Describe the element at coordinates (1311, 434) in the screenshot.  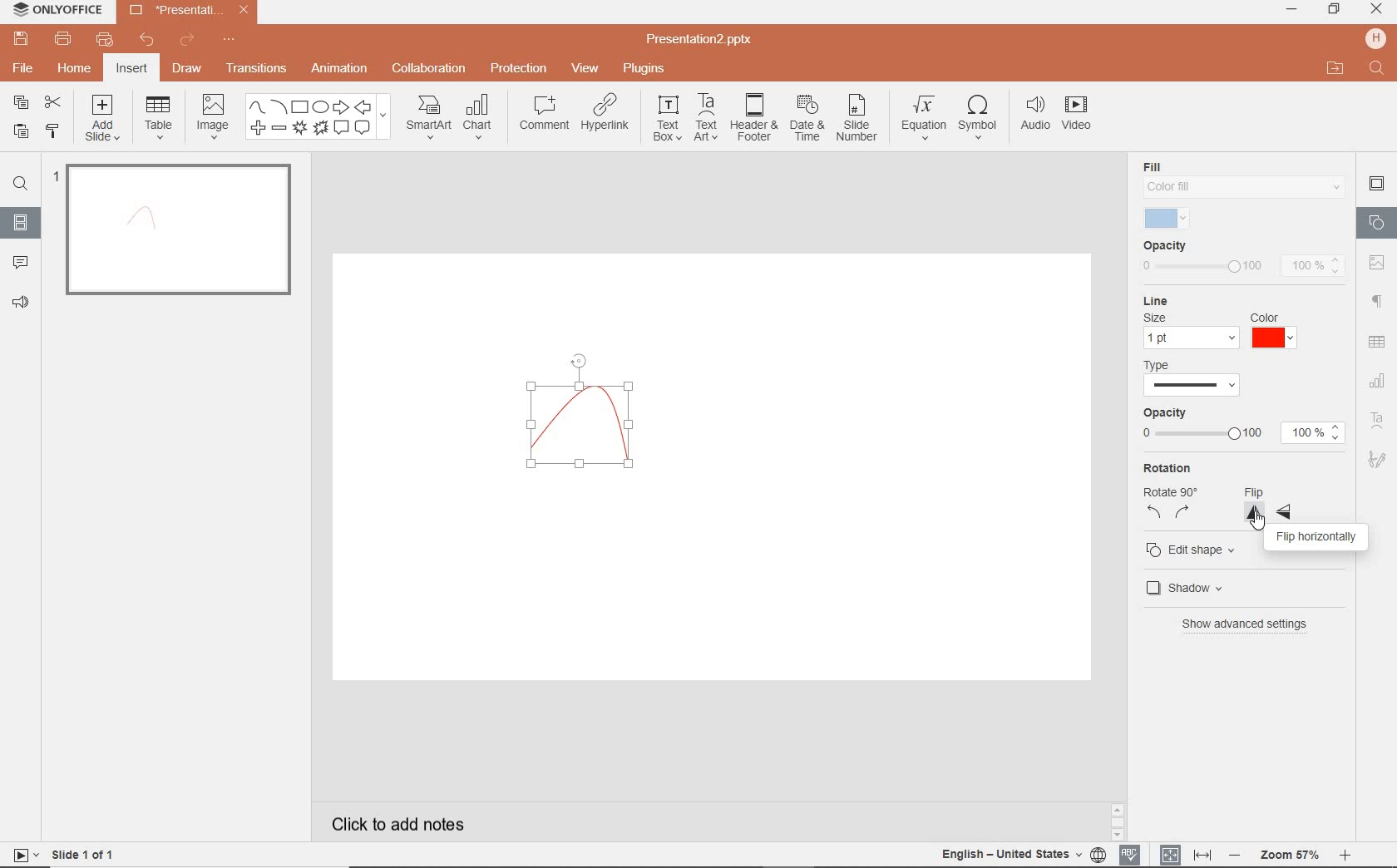
I see `100%` at that location.